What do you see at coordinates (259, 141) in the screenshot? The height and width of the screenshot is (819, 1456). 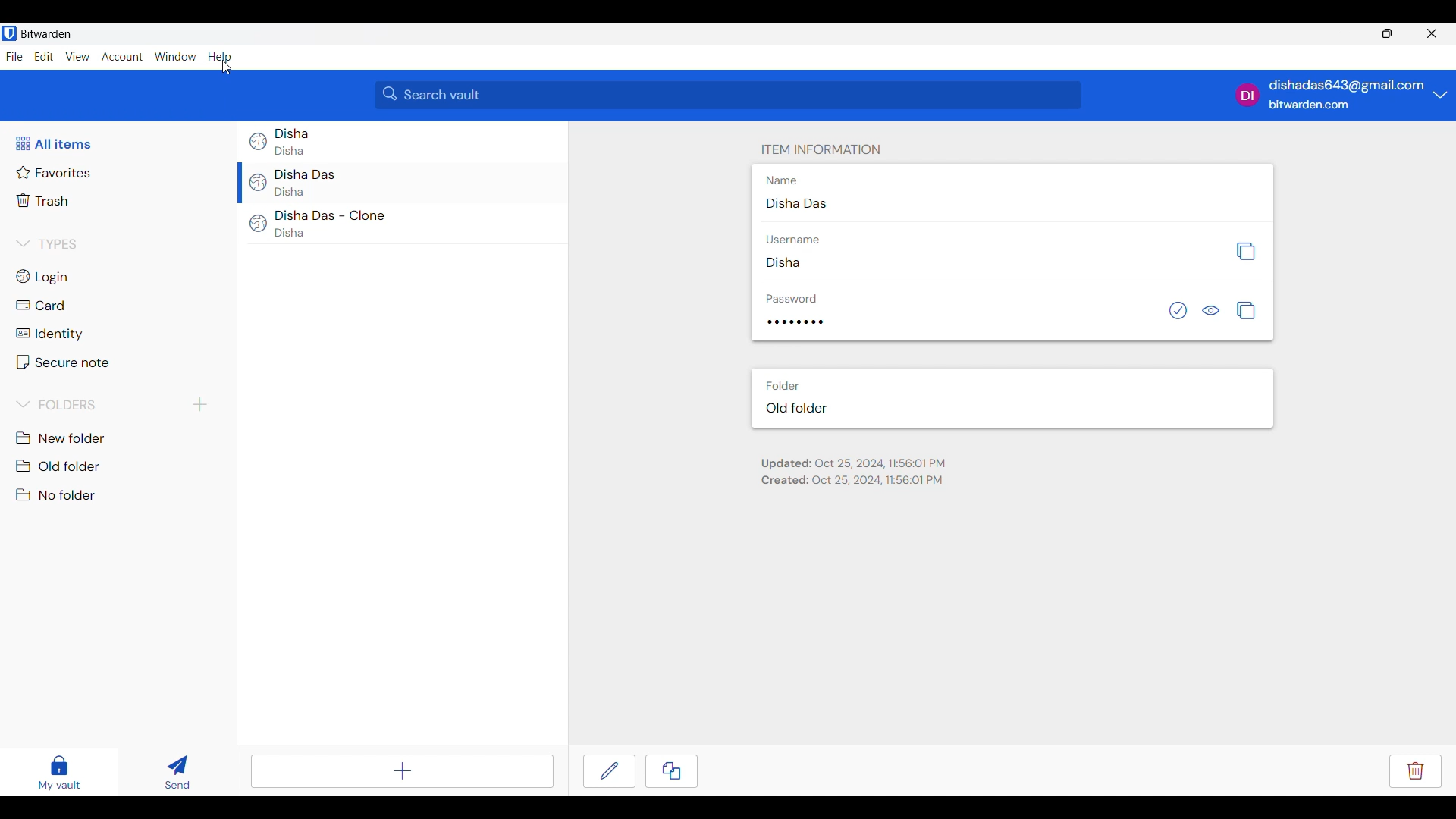 I see `Item logo` at bounding box center [259, 141].